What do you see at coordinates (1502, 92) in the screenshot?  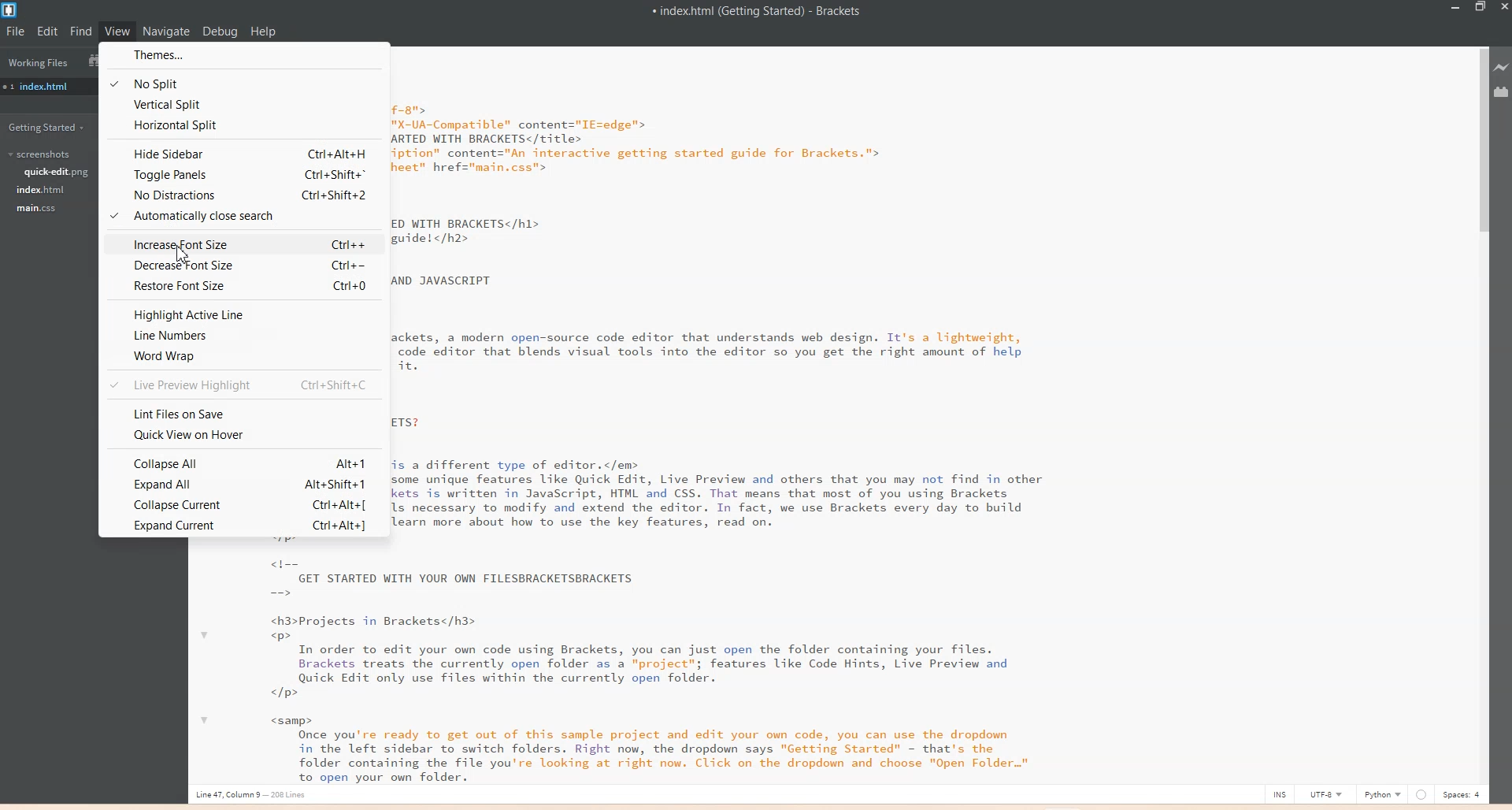 I see `Extensions Manager` at bounding box center [1502, 92].